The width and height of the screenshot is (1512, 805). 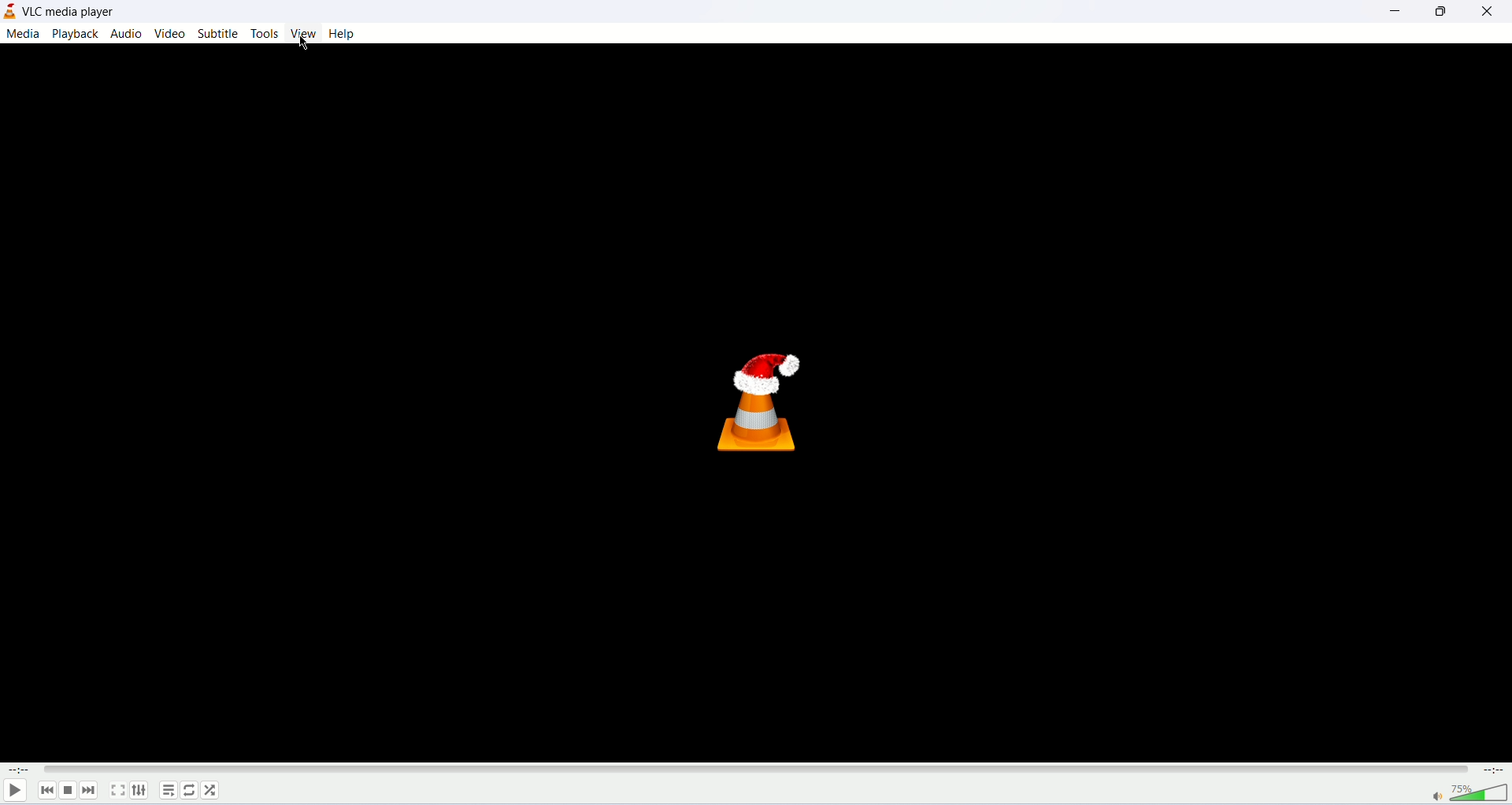 I want to click on playback, so click(x=76, y=34).